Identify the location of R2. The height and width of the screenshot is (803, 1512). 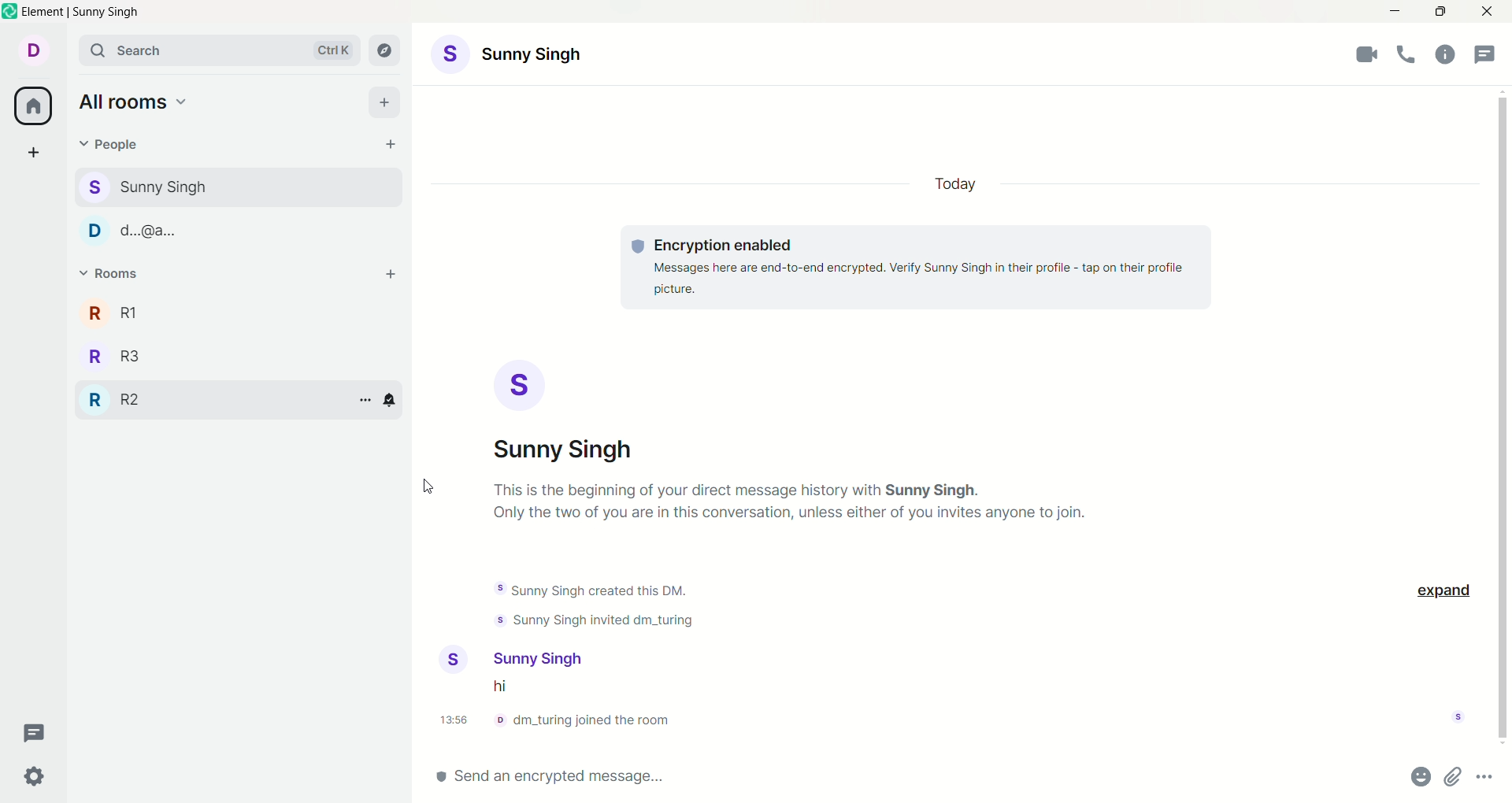
(117, 396).